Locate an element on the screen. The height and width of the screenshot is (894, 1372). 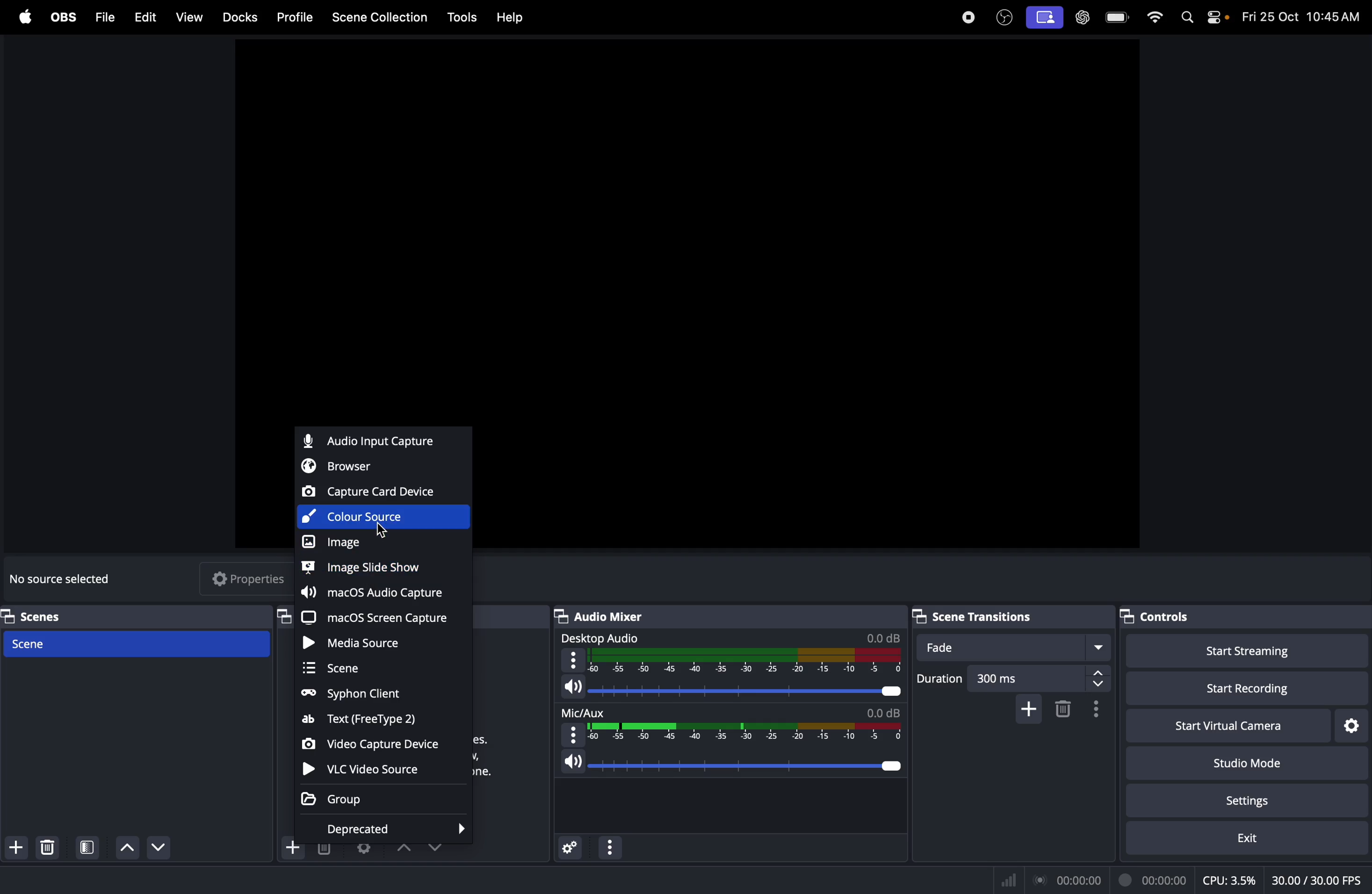
desktop audio is located at coordinates (603, 638).